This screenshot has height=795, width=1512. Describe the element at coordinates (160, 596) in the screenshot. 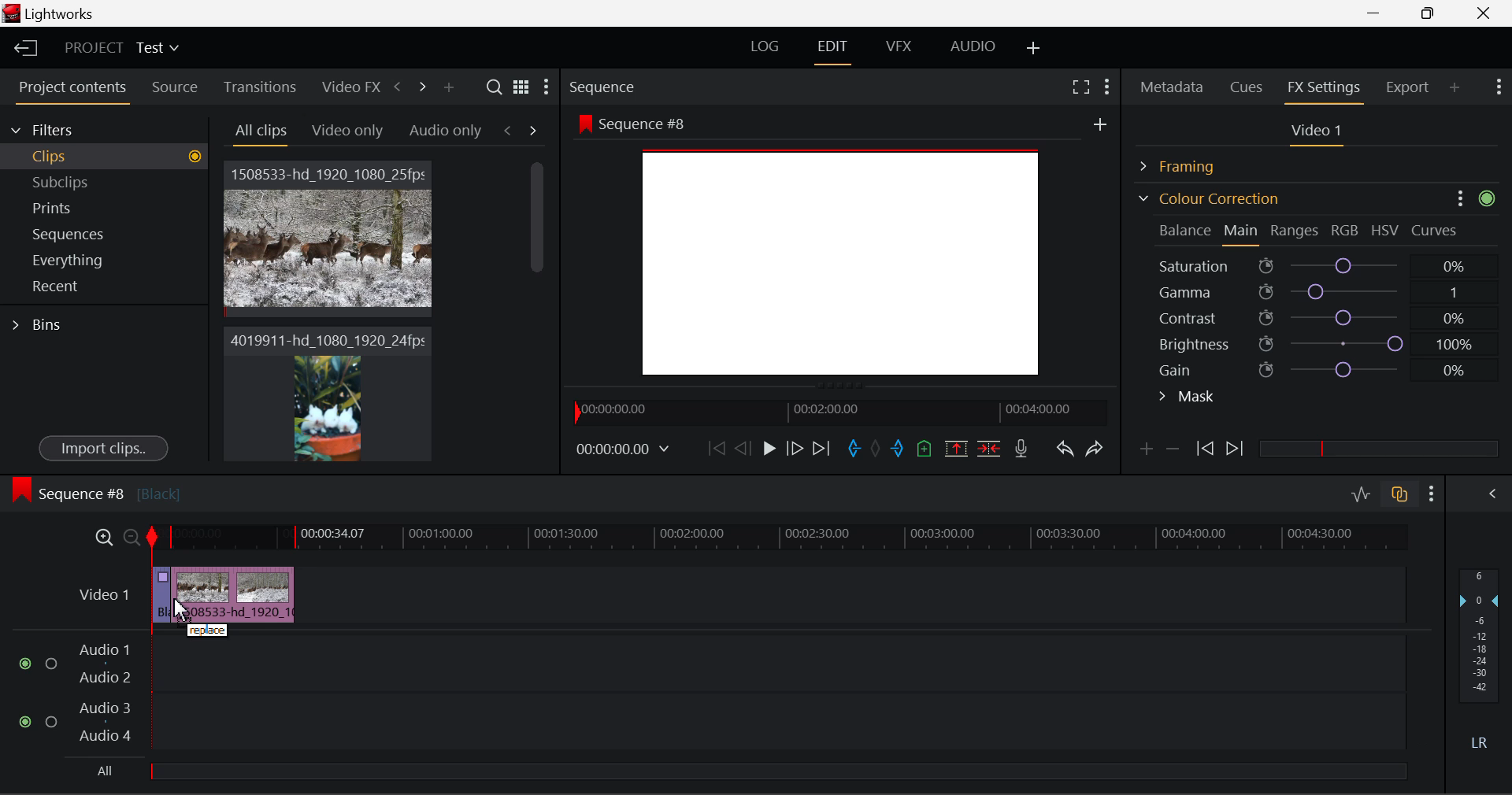

I see `Clip 1 Segment` at that location.